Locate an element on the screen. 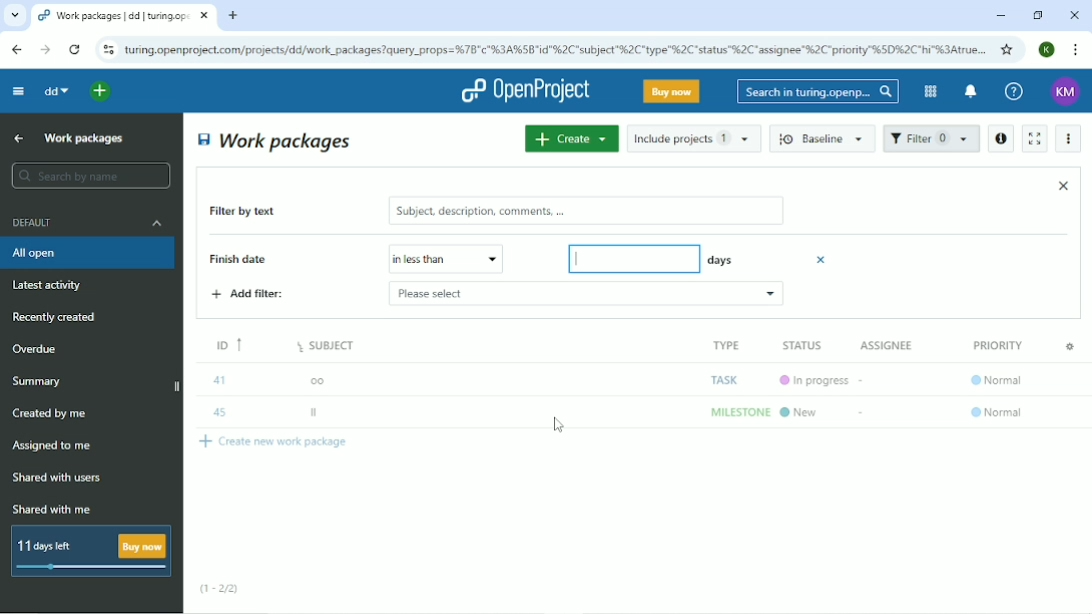  Forward is located at coordinates (43, 50).